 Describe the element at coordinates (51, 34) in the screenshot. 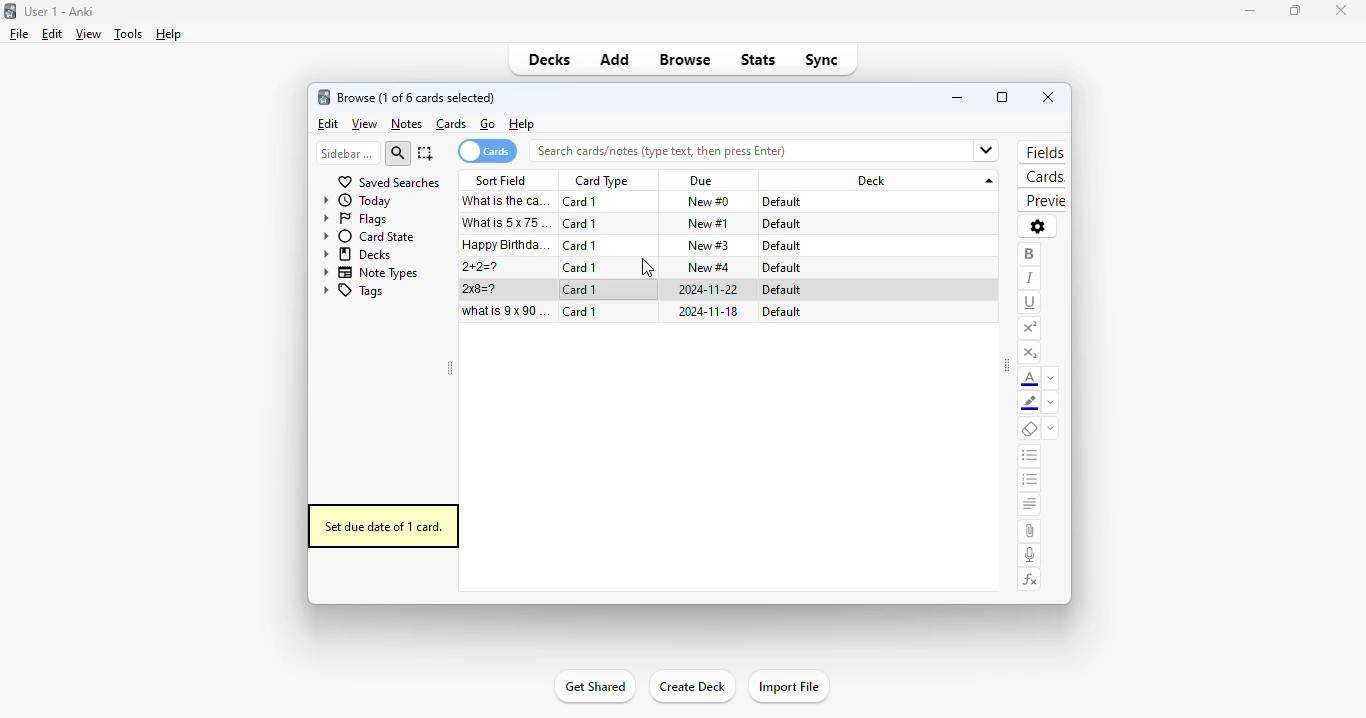

I see `edit` at that location.